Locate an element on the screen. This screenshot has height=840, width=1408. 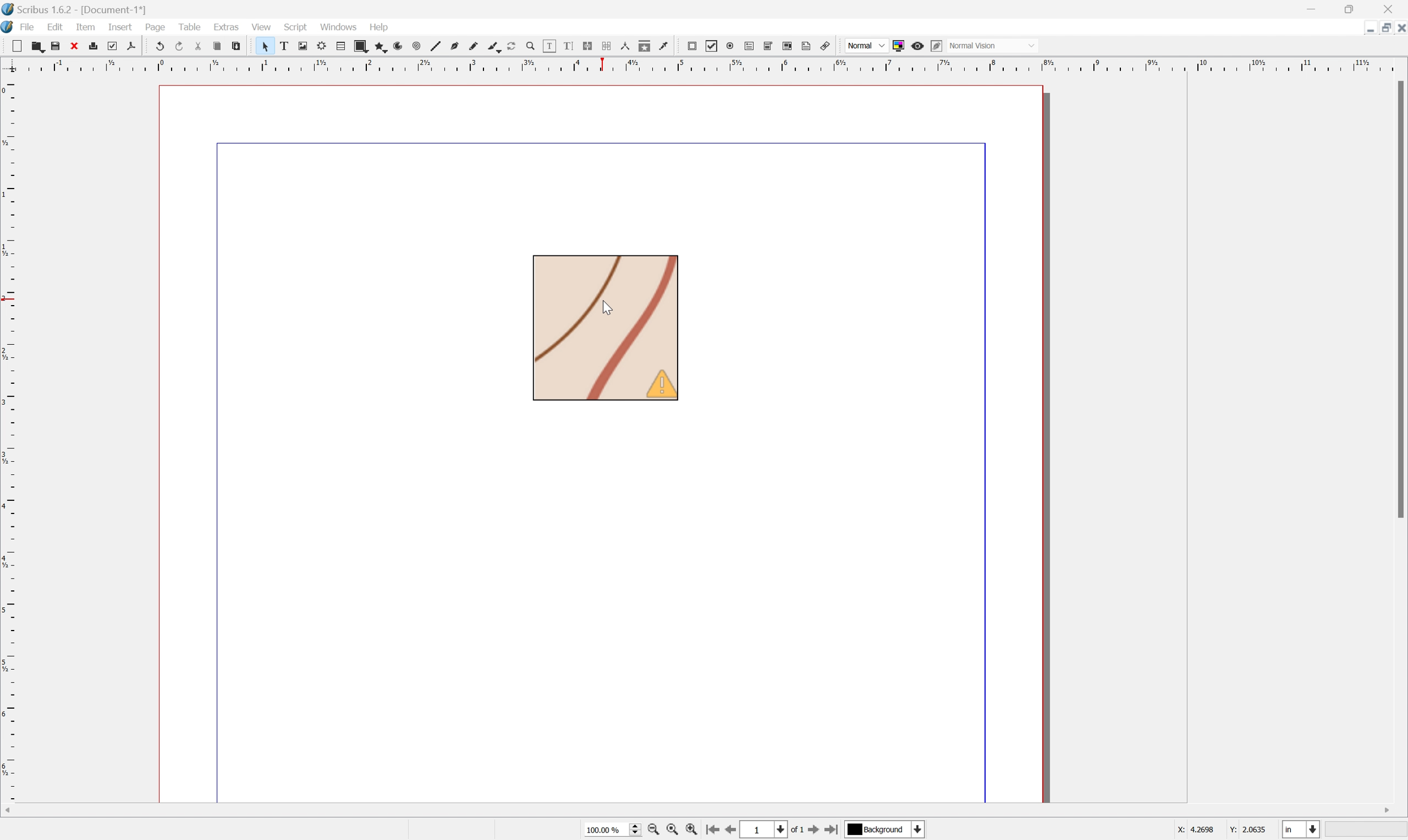
Current zoom level is located at coordinates (612, 829).